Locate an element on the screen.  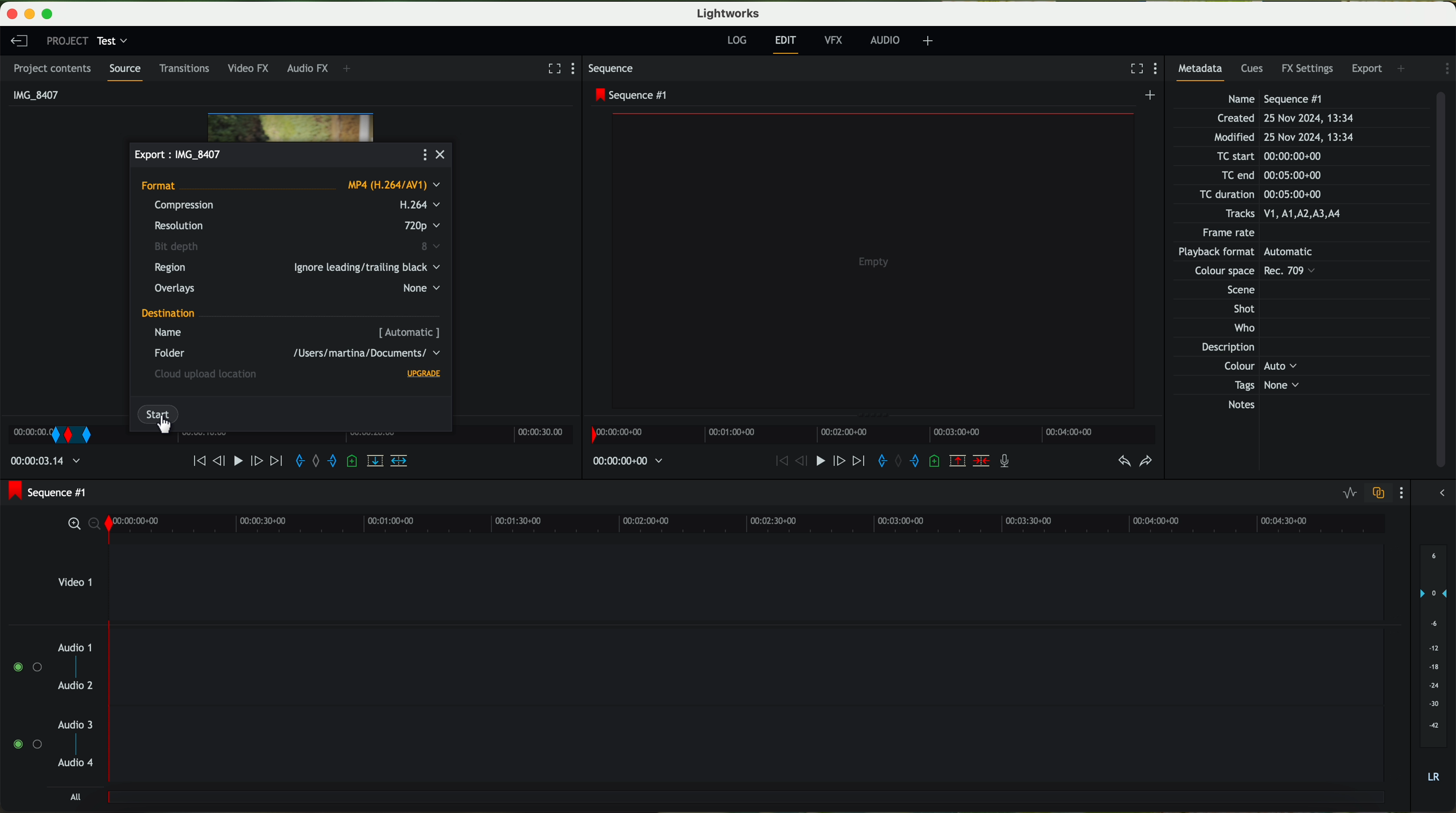
add an out mark is located at coordinates (909, 461).